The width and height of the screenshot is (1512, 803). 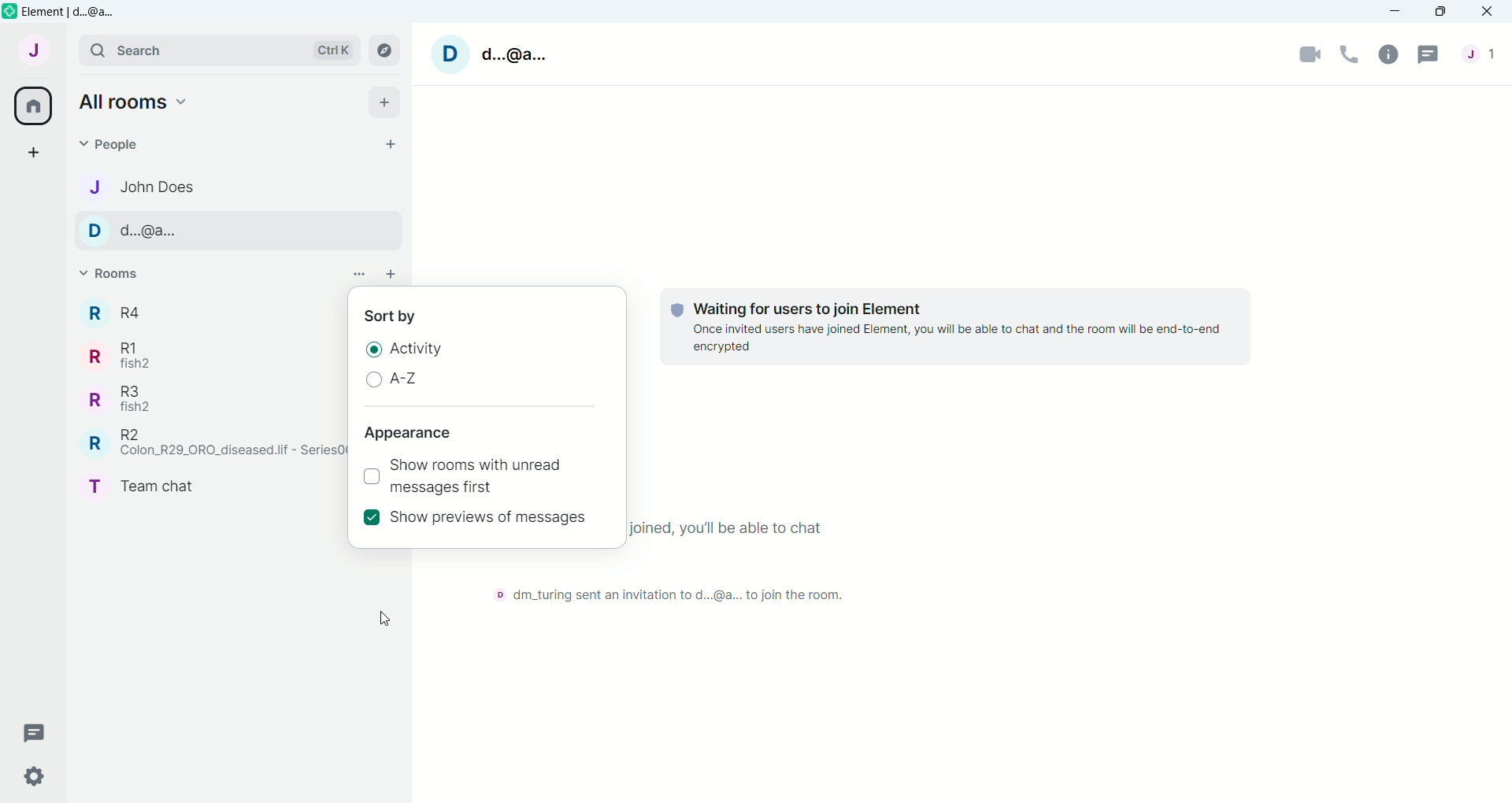 What do you see at coordinates (24, 776) in the screenshot?
I see `Quick settings` at bounding box center [24, 776].